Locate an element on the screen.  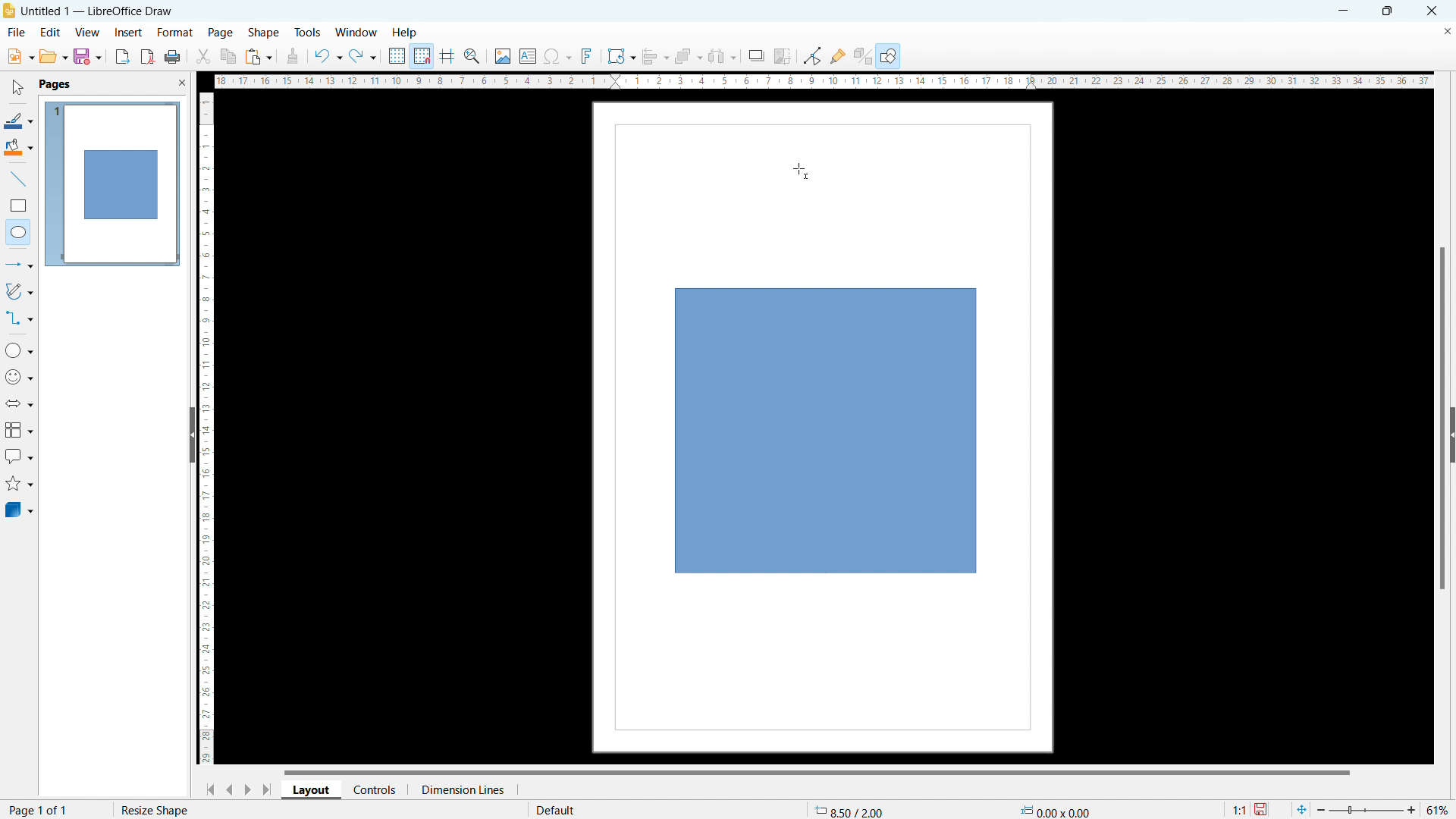
undo is located at coordinates (327, 56).